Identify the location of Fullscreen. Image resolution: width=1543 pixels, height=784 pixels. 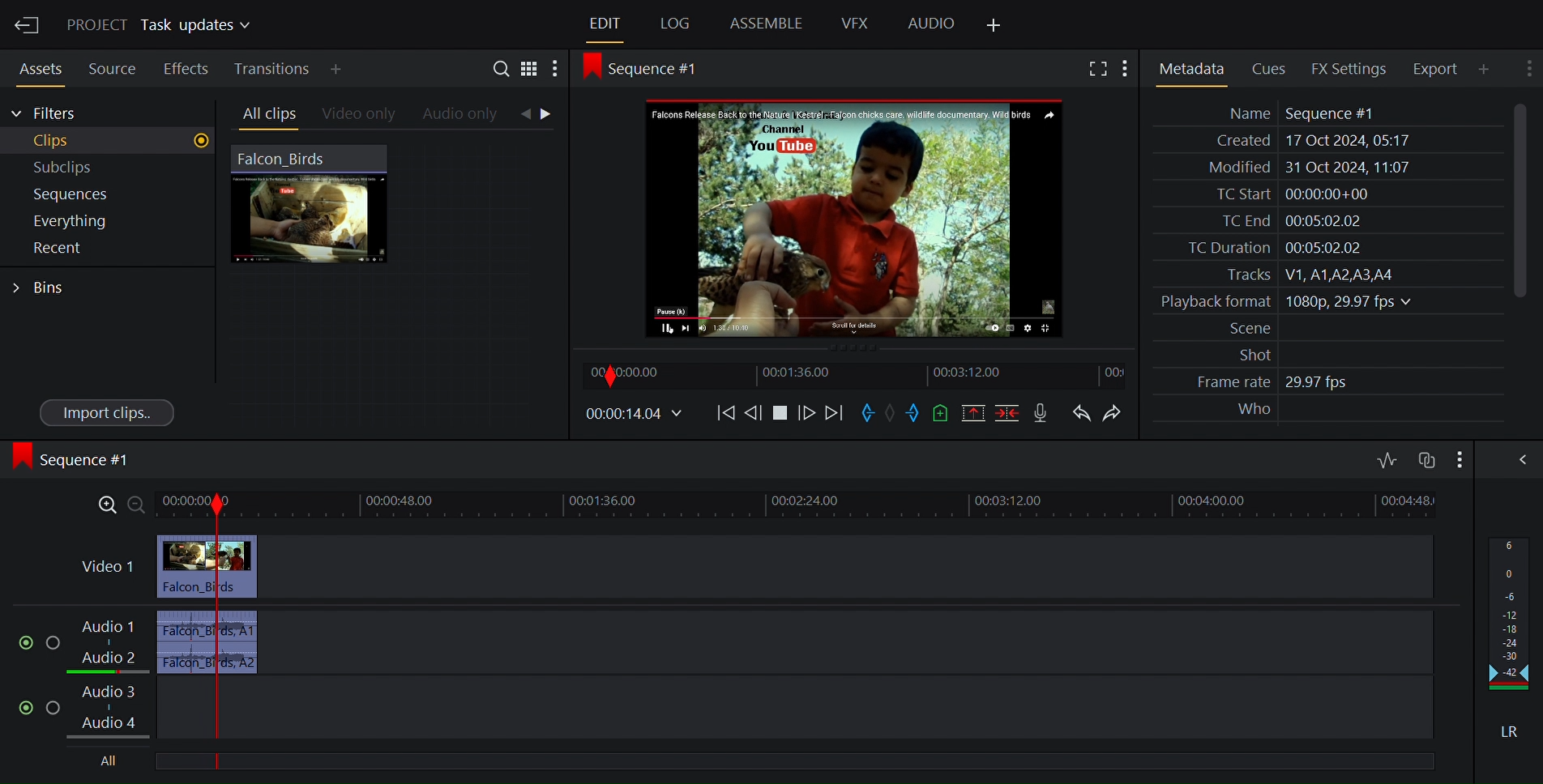
(1095, 67).